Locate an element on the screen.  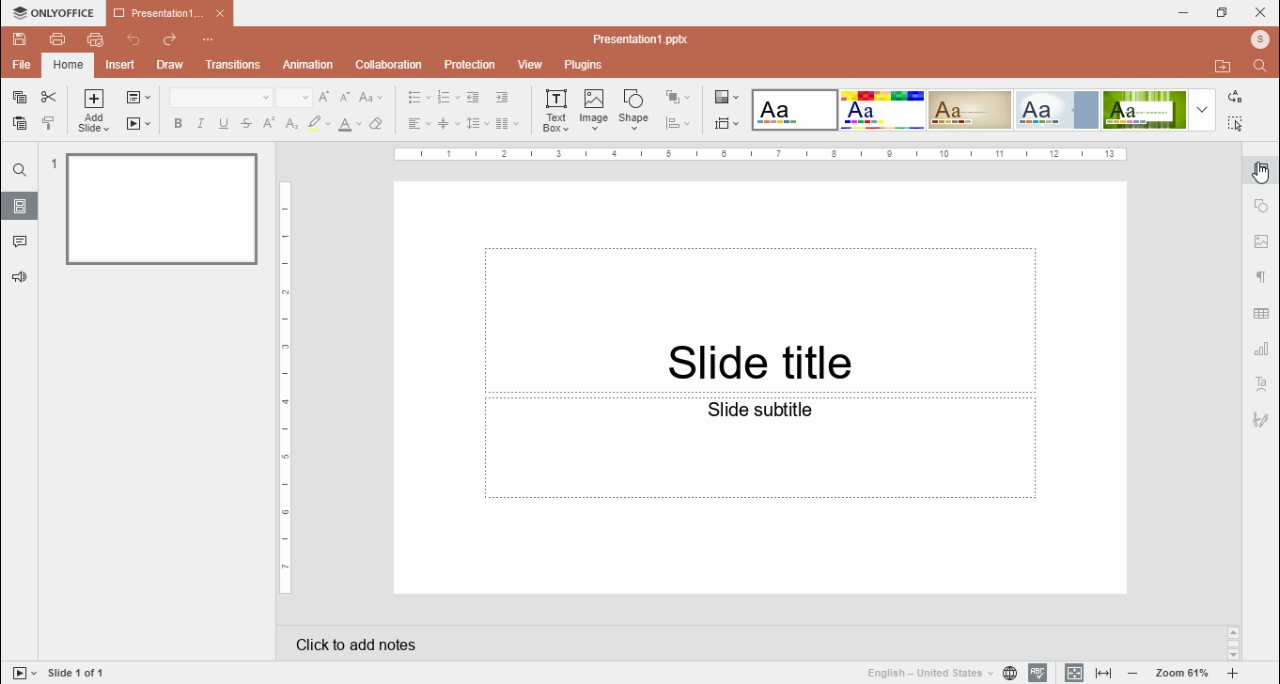
close window is located at coordinates (1260, 13).